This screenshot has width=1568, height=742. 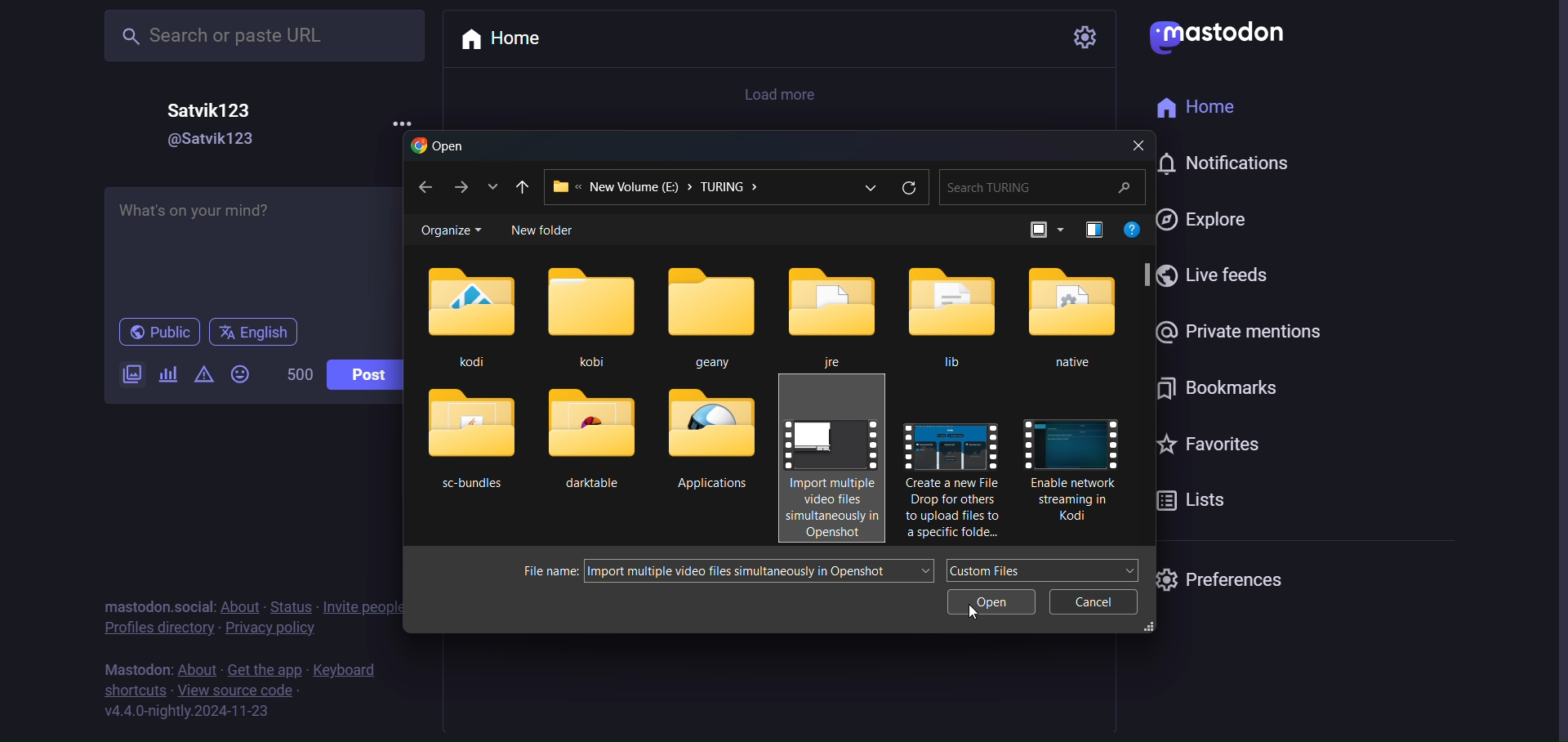 I want to click on jre, so click(x=836, y=313).